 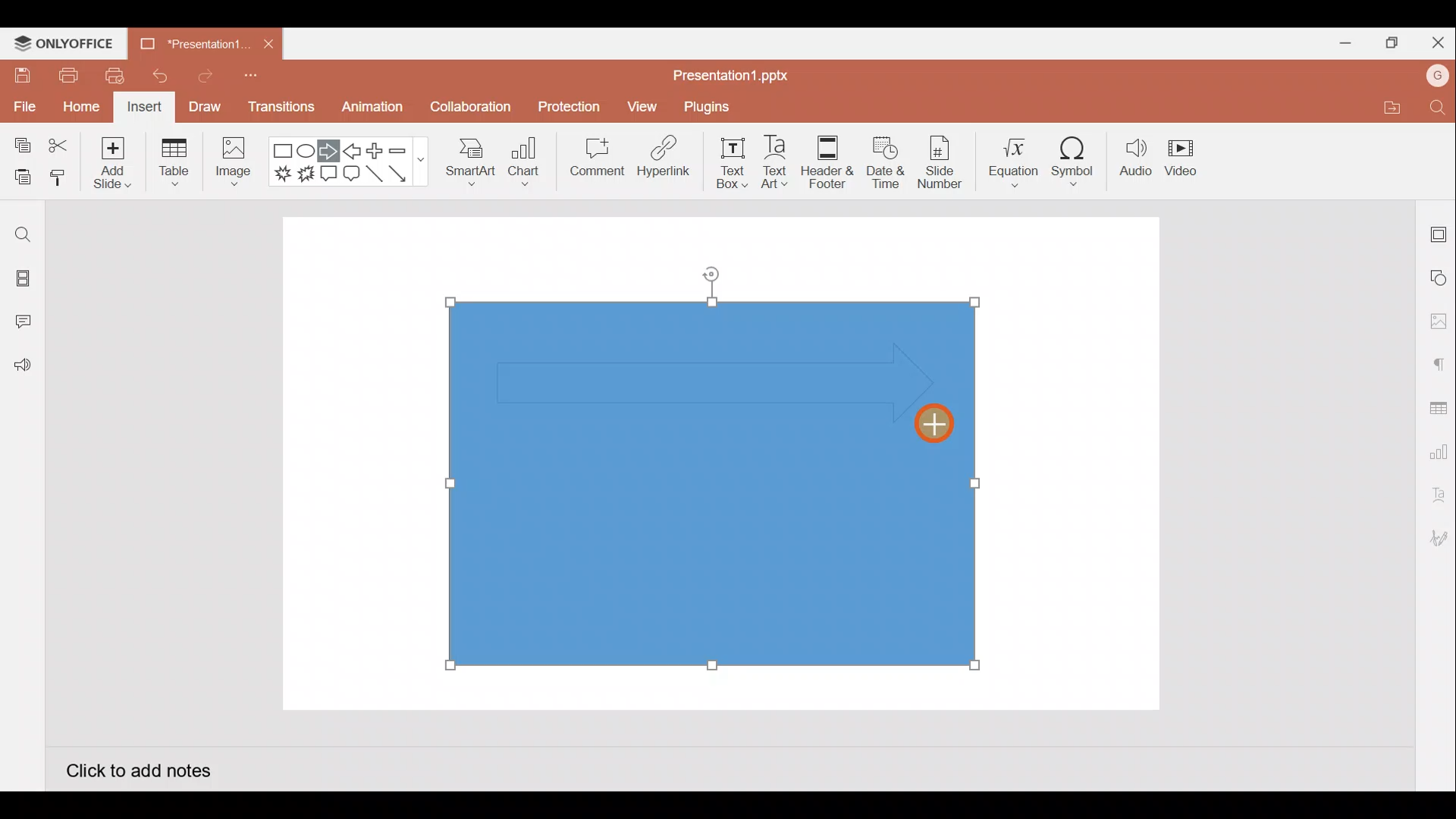 What do you see at coordinates (1436, 449) in the screenshot?
I see `Chart settings` at bounding box center [1436, 449].